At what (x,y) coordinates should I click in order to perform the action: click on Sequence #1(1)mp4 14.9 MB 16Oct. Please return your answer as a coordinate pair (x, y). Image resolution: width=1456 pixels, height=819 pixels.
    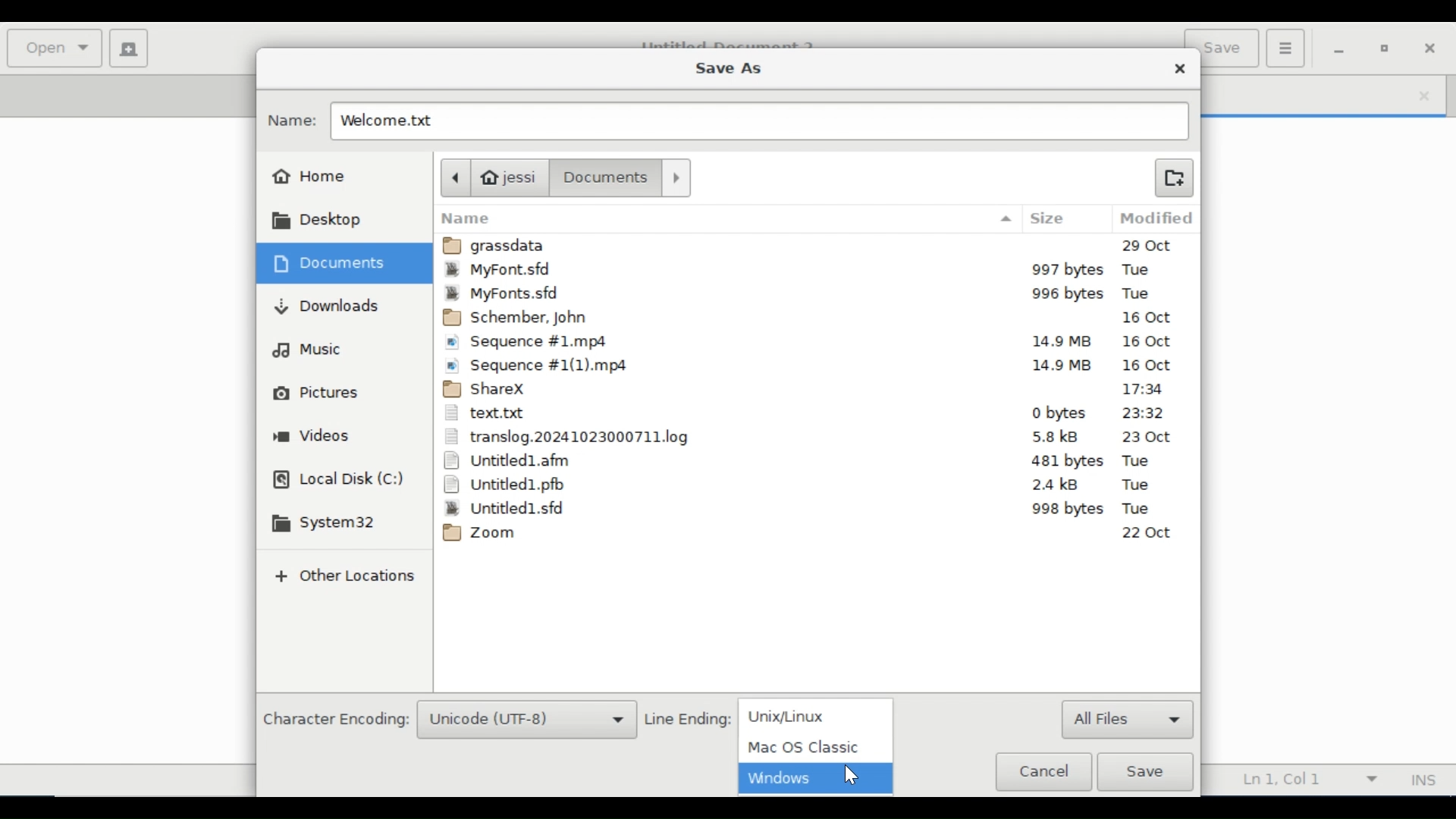
    Looking at the image, I should click on (814, 365).